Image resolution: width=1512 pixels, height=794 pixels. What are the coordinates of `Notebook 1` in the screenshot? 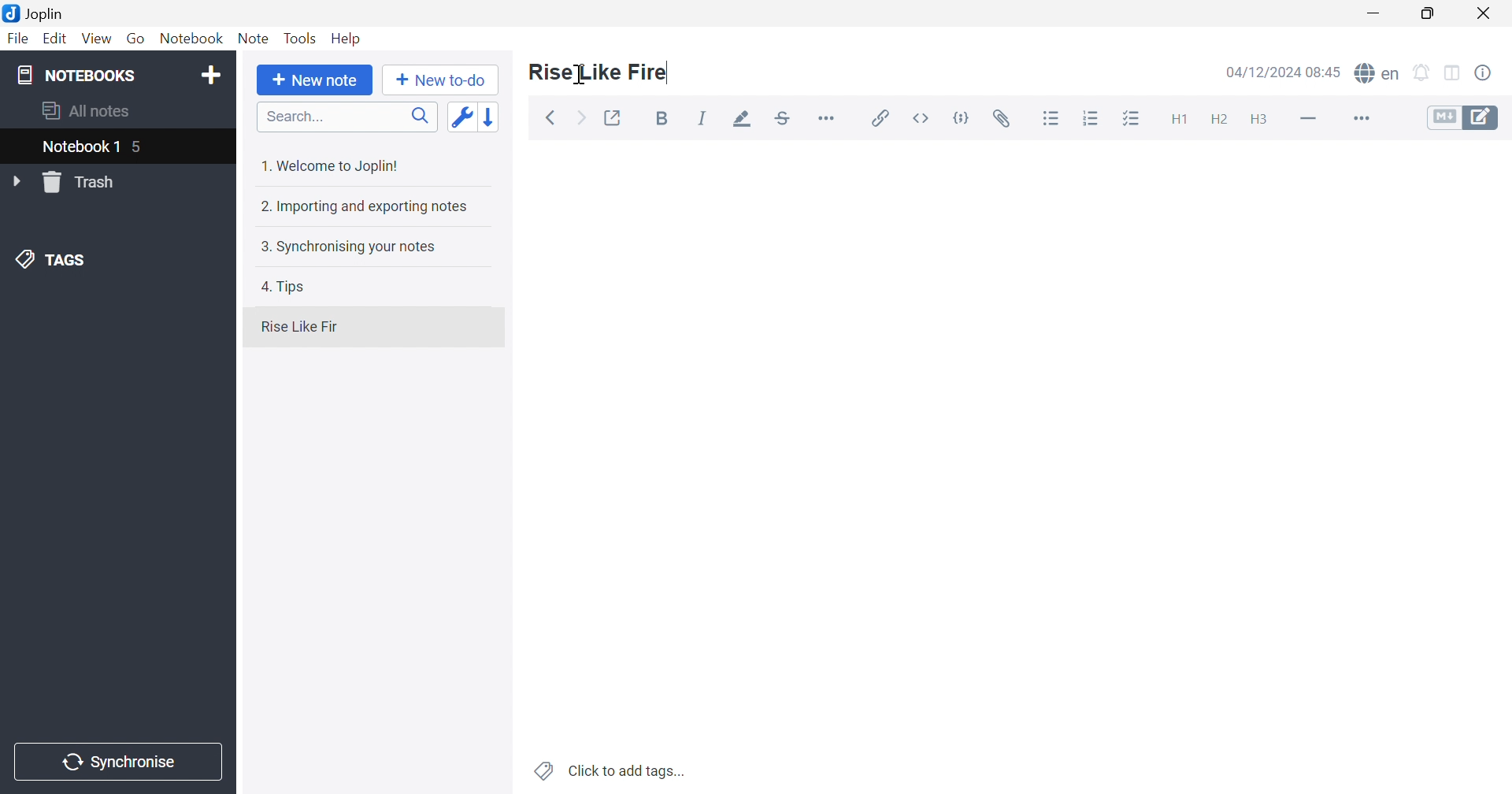 It's located at (79, 149).